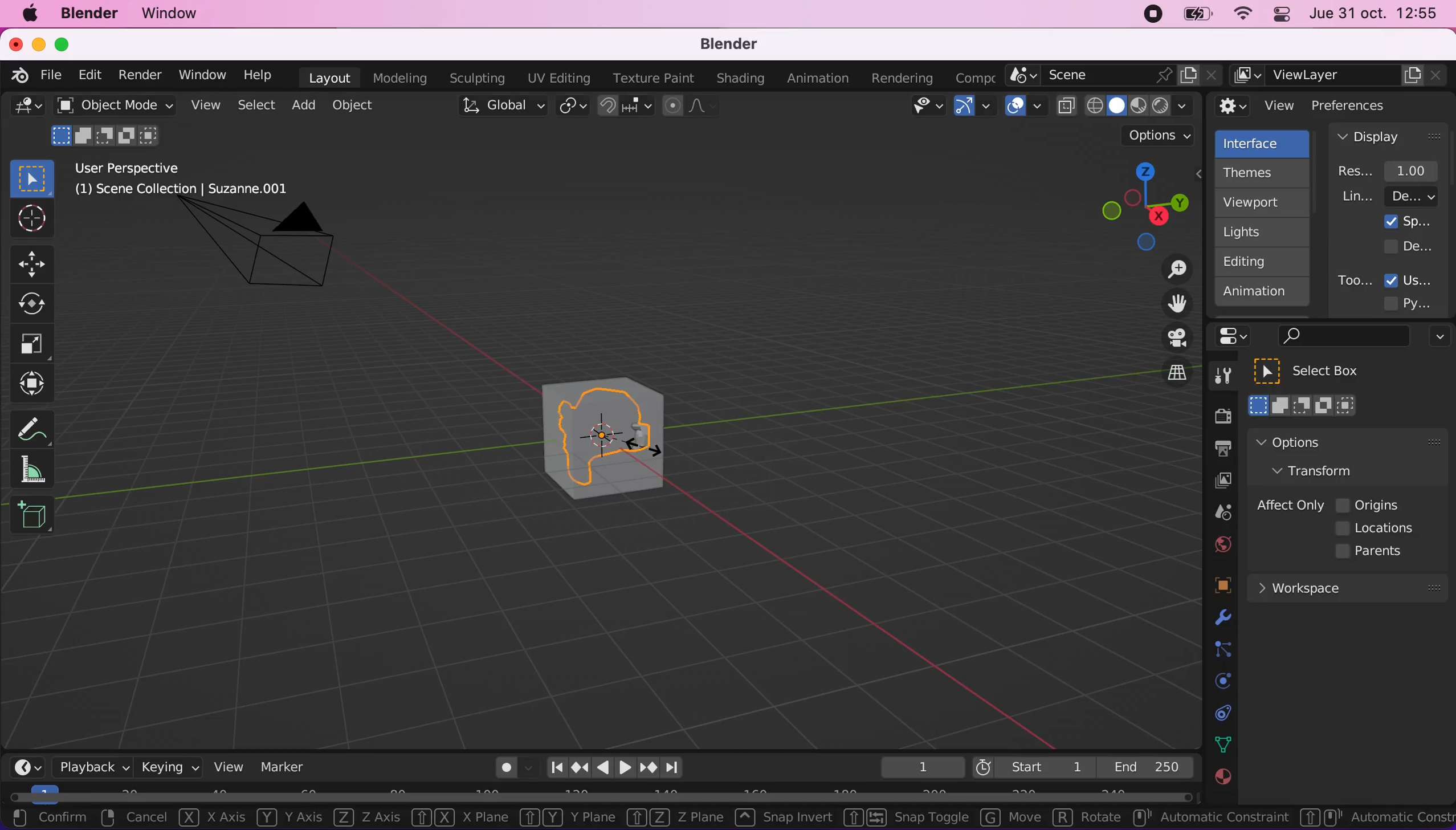  I want to click on blender, so click(721, 45).